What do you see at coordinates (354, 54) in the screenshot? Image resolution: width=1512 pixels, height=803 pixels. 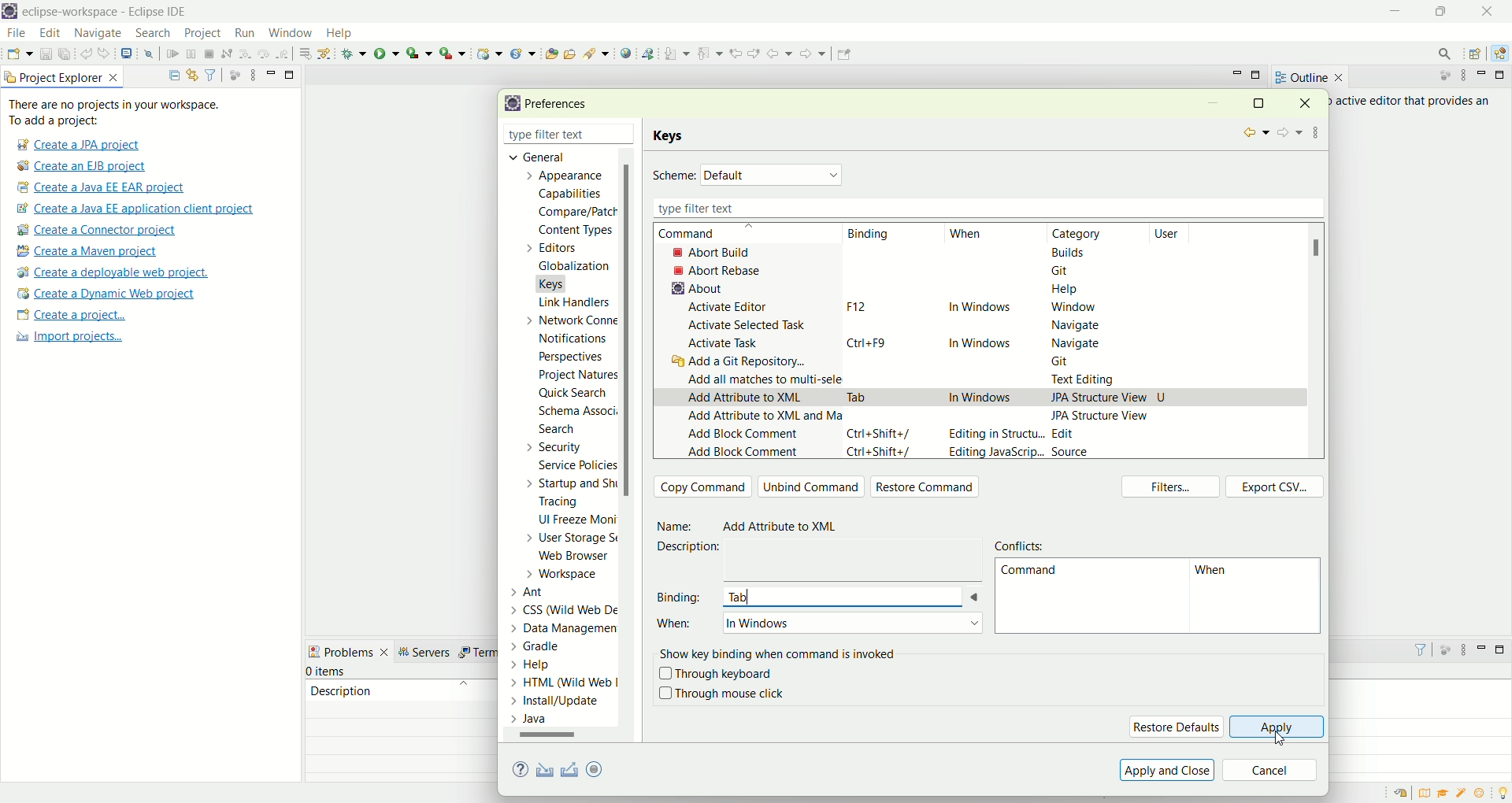 I see `debug` at bounding box center [354, 54].